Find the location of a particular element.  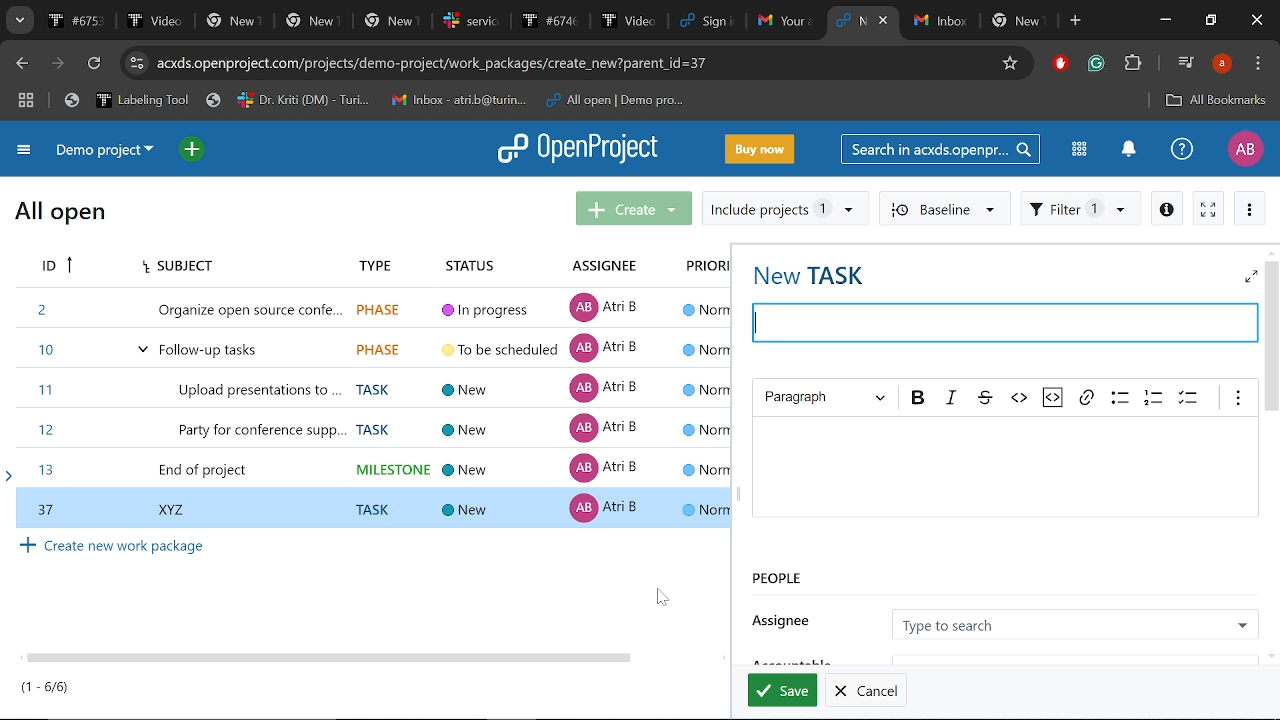

assignee is located at coordinates (787, 617).